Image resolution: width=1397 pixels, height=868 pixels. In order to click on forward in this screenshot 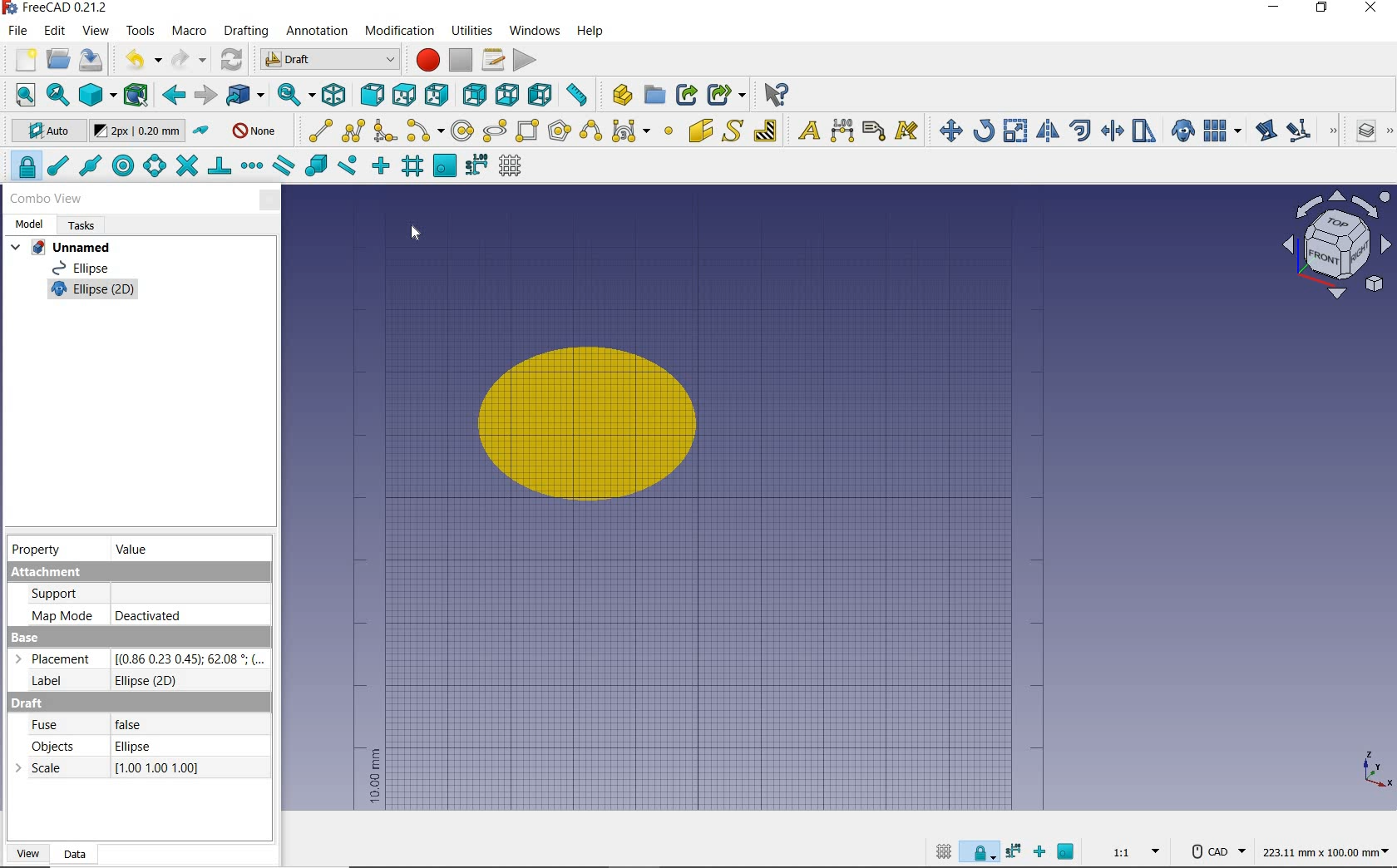, I will do `click(205, 94)`.